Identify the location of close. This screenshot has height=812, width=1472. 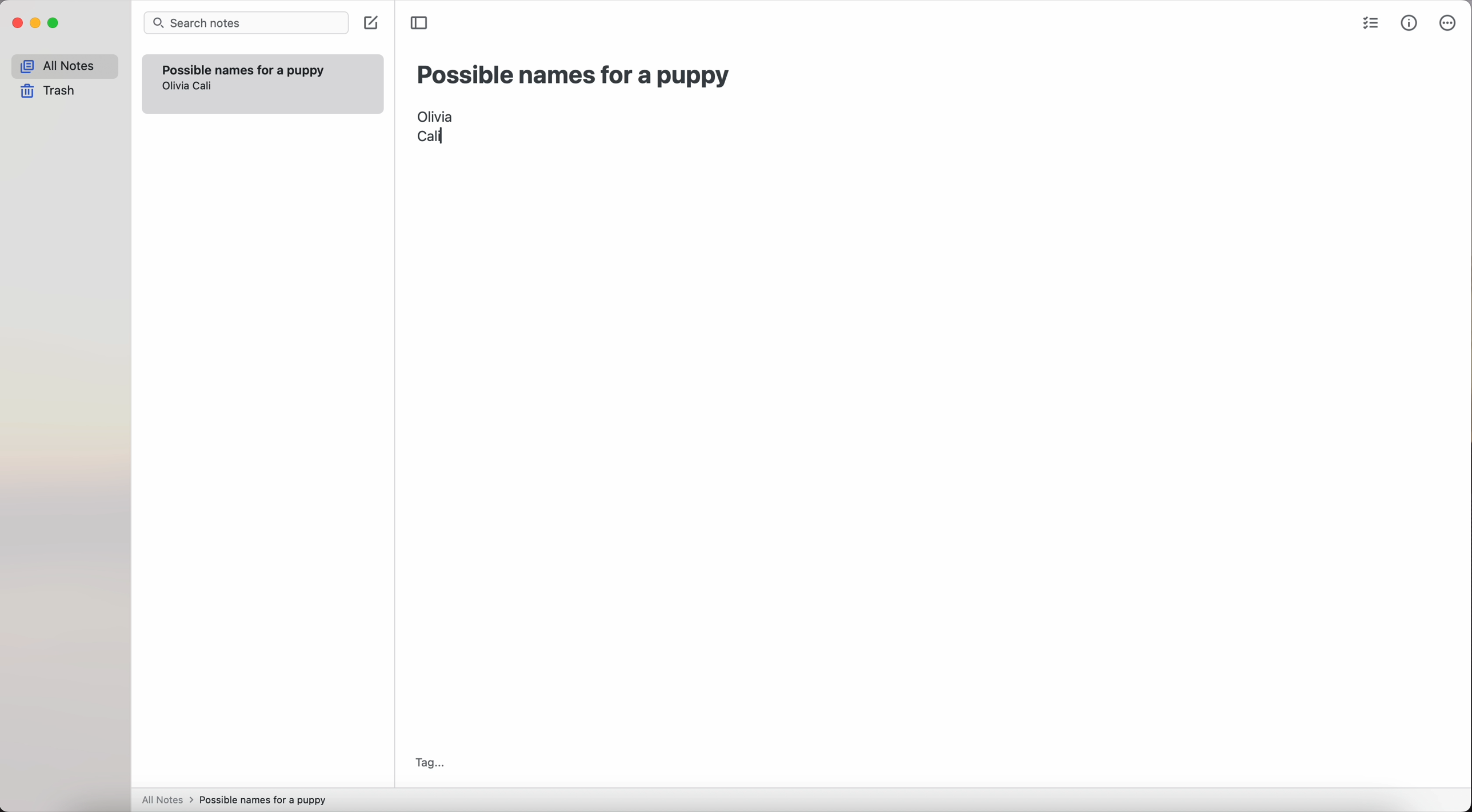
(16, 25).